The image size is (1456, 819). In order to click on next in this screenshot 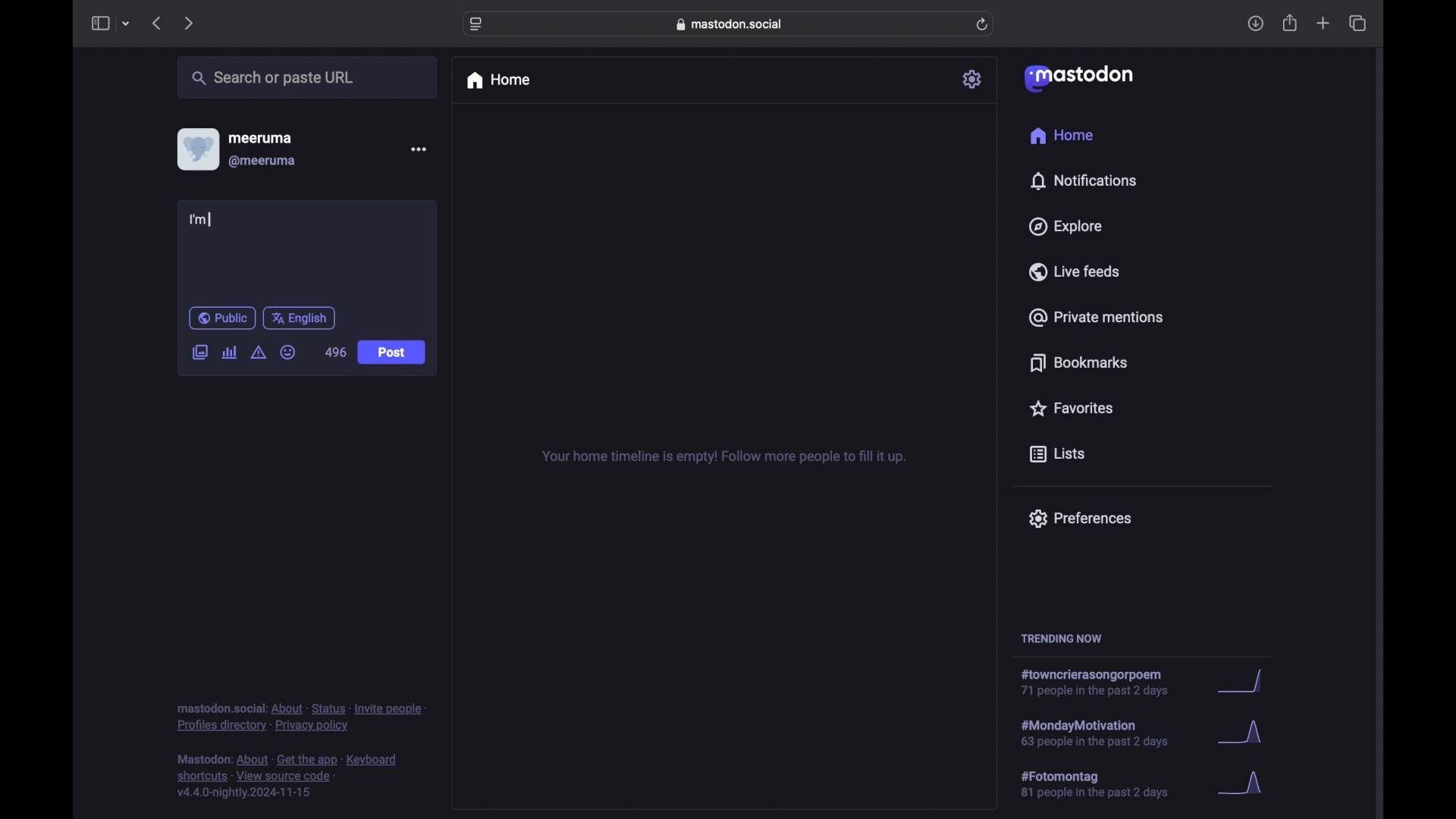, I will do `click(188, 24)`.